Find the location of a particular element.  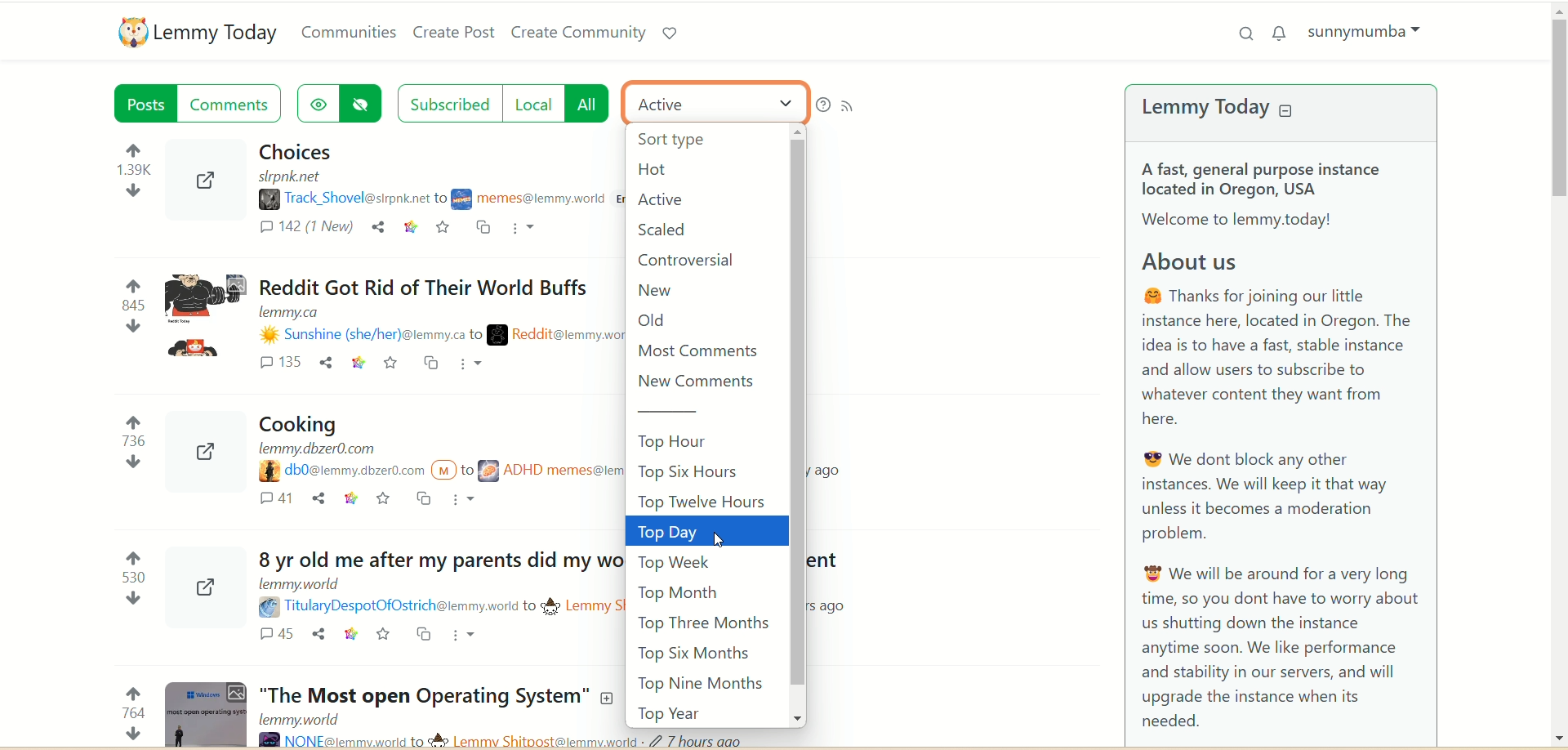

top six months is located at coordinates (699, 654).